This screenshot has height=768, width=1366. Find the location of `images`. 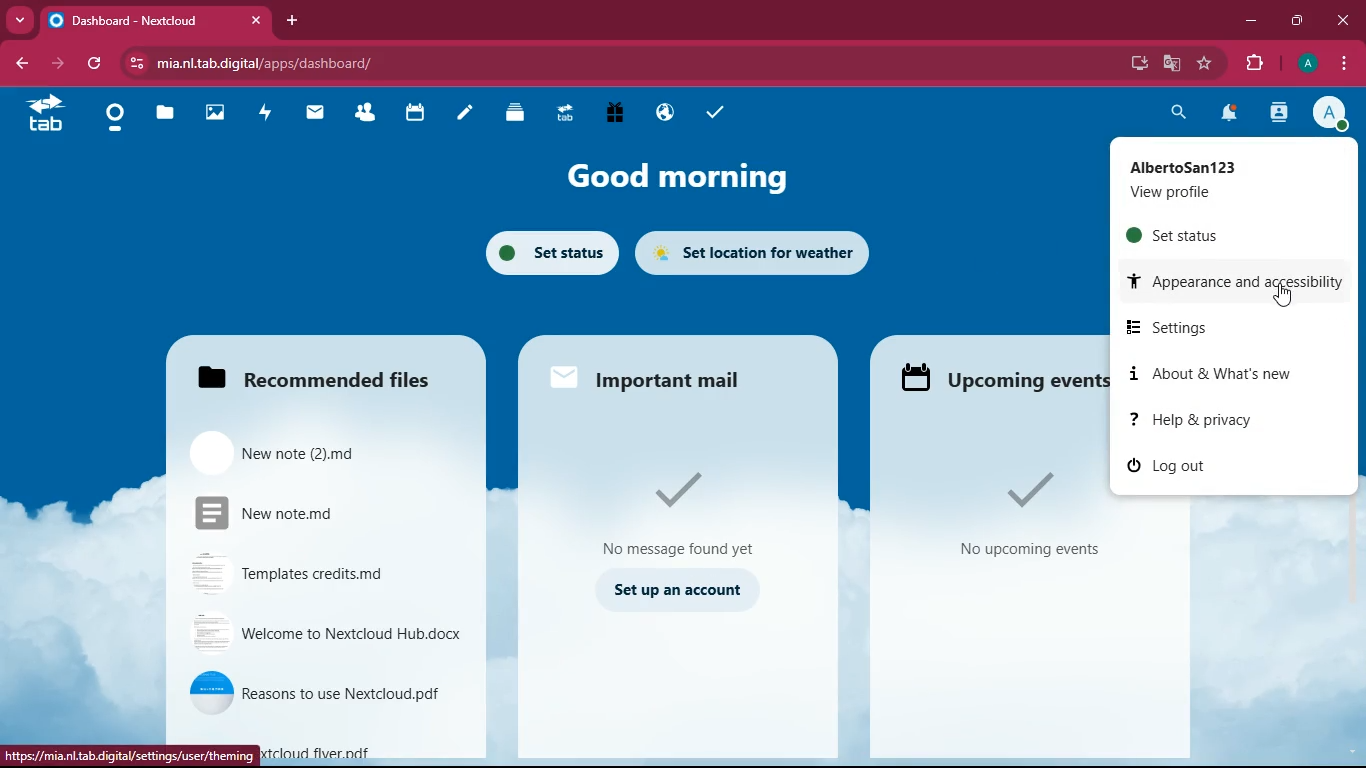

images is located at coordinates (213, 113).